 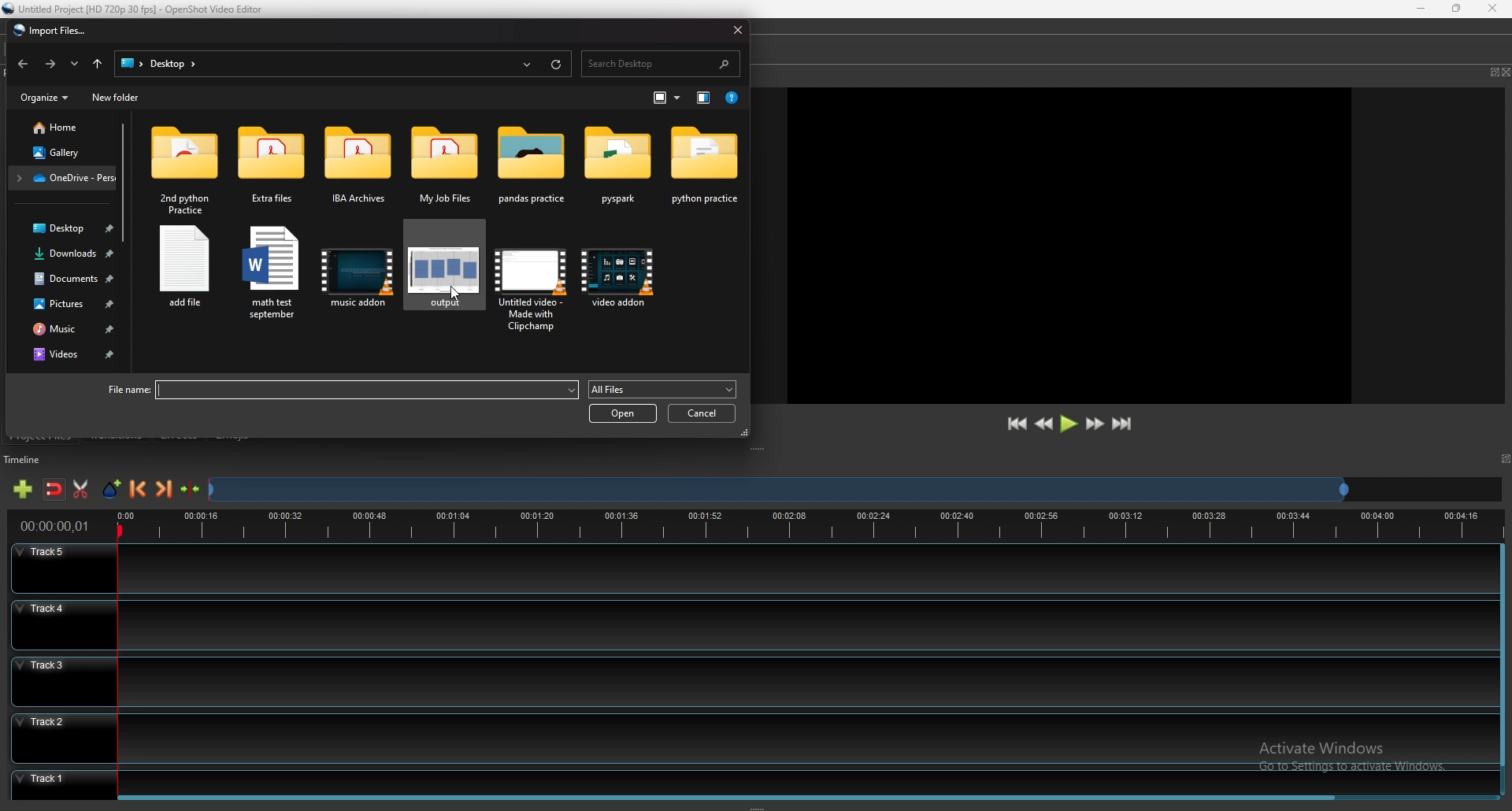 What do you see at coordinates (761, 450) in the screenshot?
I see `adjust` at bounding box center [761, 450].